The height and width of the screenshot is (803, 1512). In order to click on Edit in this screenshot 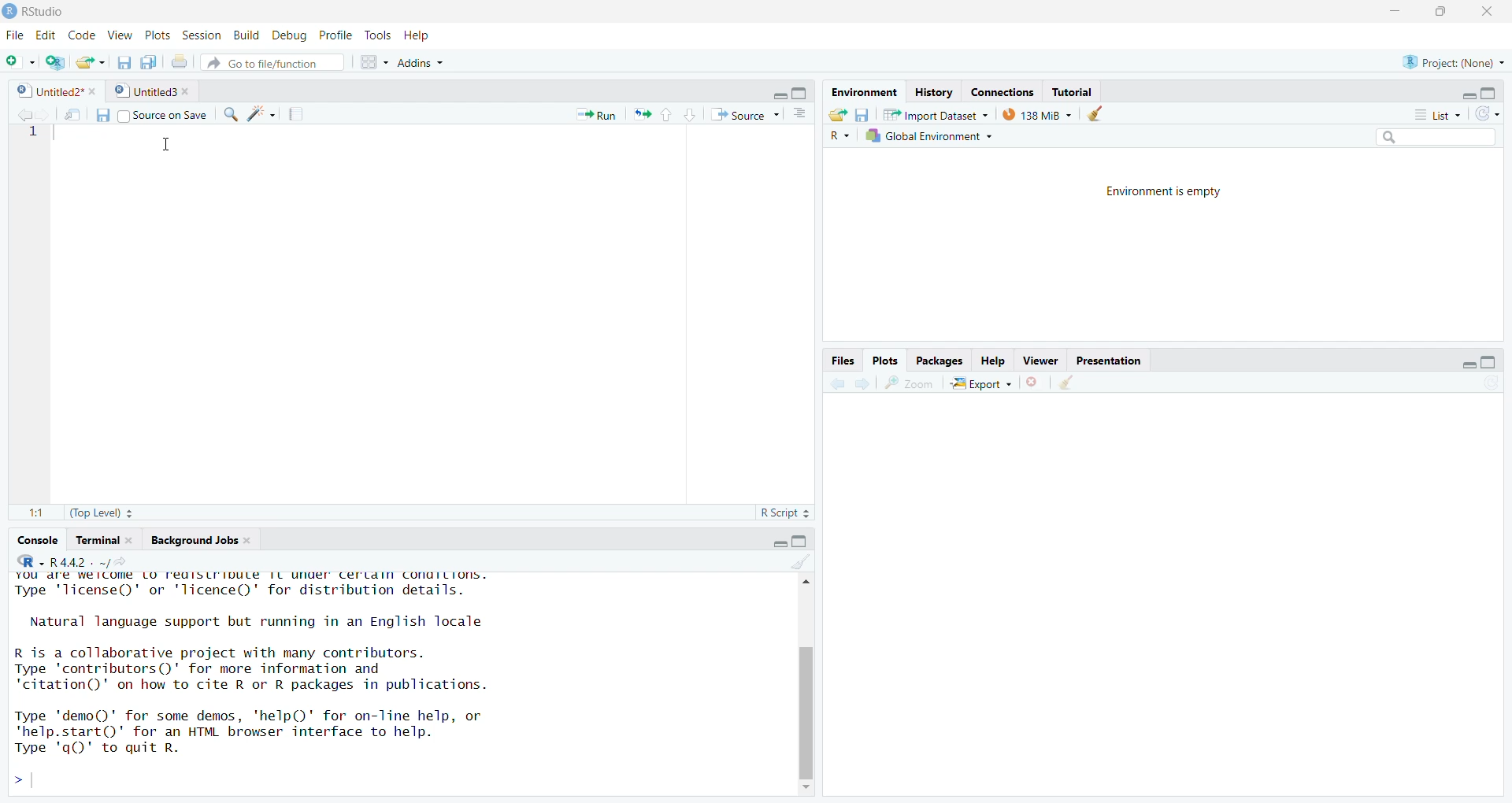, I will do `click(44, 35)`.